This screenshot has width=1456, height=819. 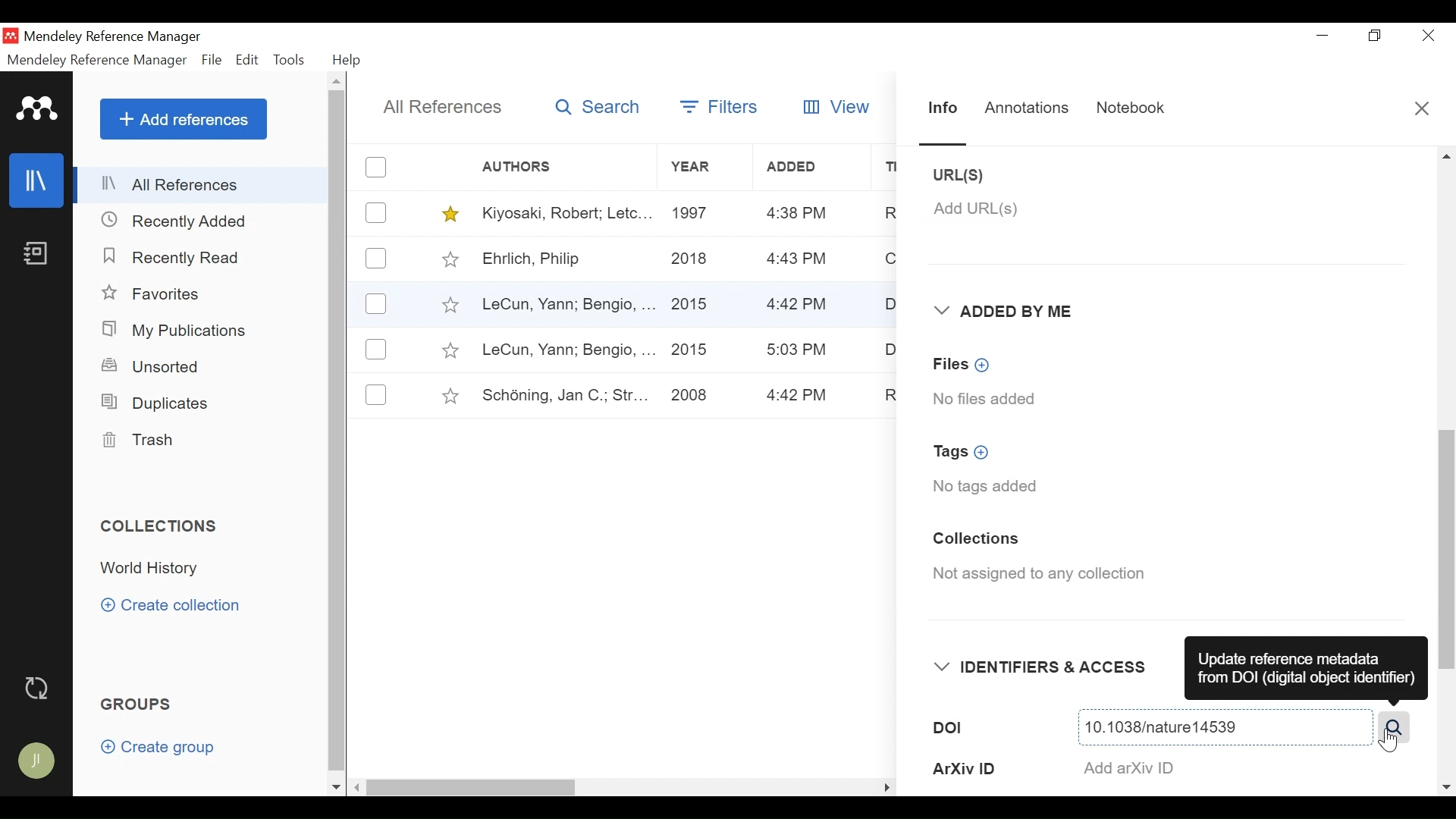 What do you see at coordinates (994, 728) in the screenshot?
I see `DOI` at bounding box center [994, 728].